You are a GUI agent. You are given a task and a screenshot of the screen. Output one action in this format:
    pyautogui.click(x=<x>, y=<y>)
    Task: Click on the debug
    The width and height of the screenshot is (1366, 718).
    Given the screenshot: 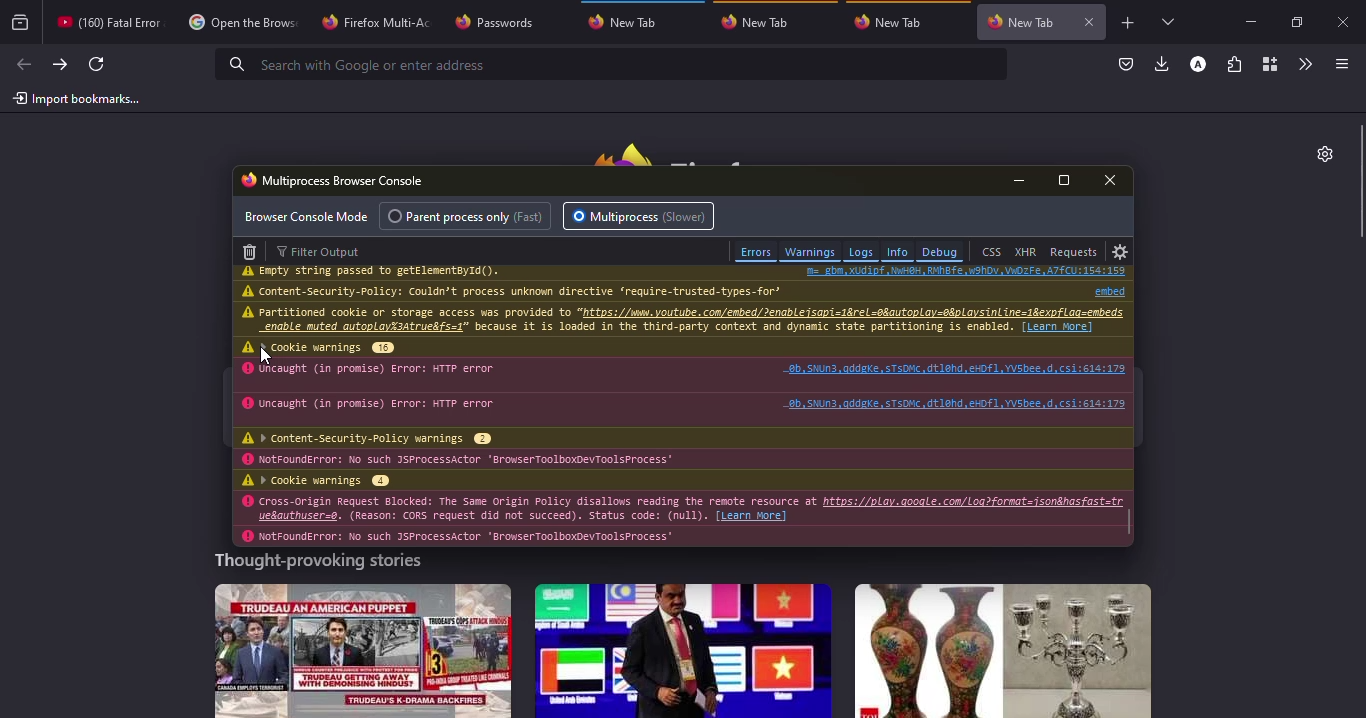 What is the action you would take?
    pyautogui.click(x=940, y=252)
    